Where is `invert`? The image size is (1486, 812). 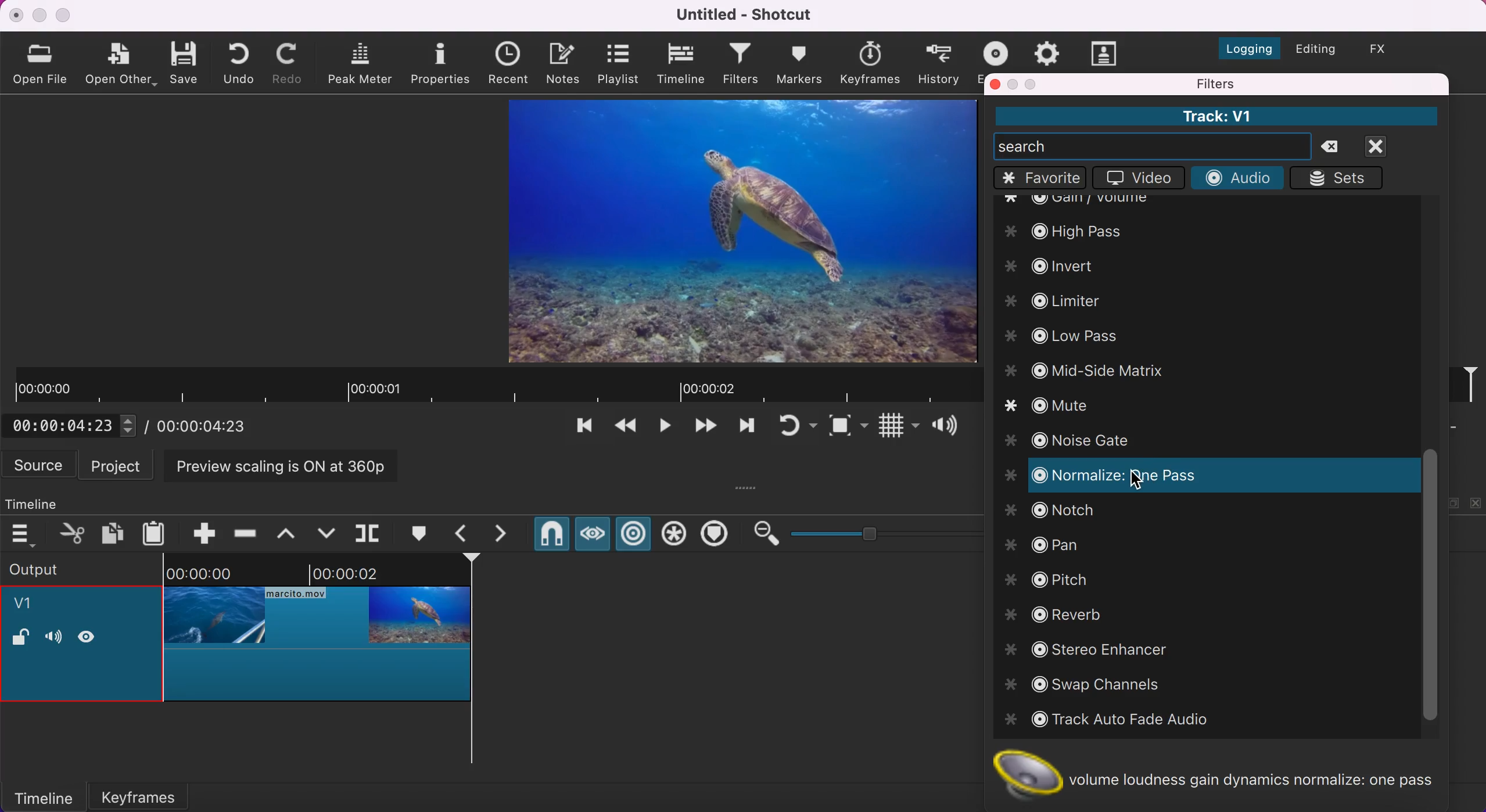
invert is located at coordinates (1064, 264).